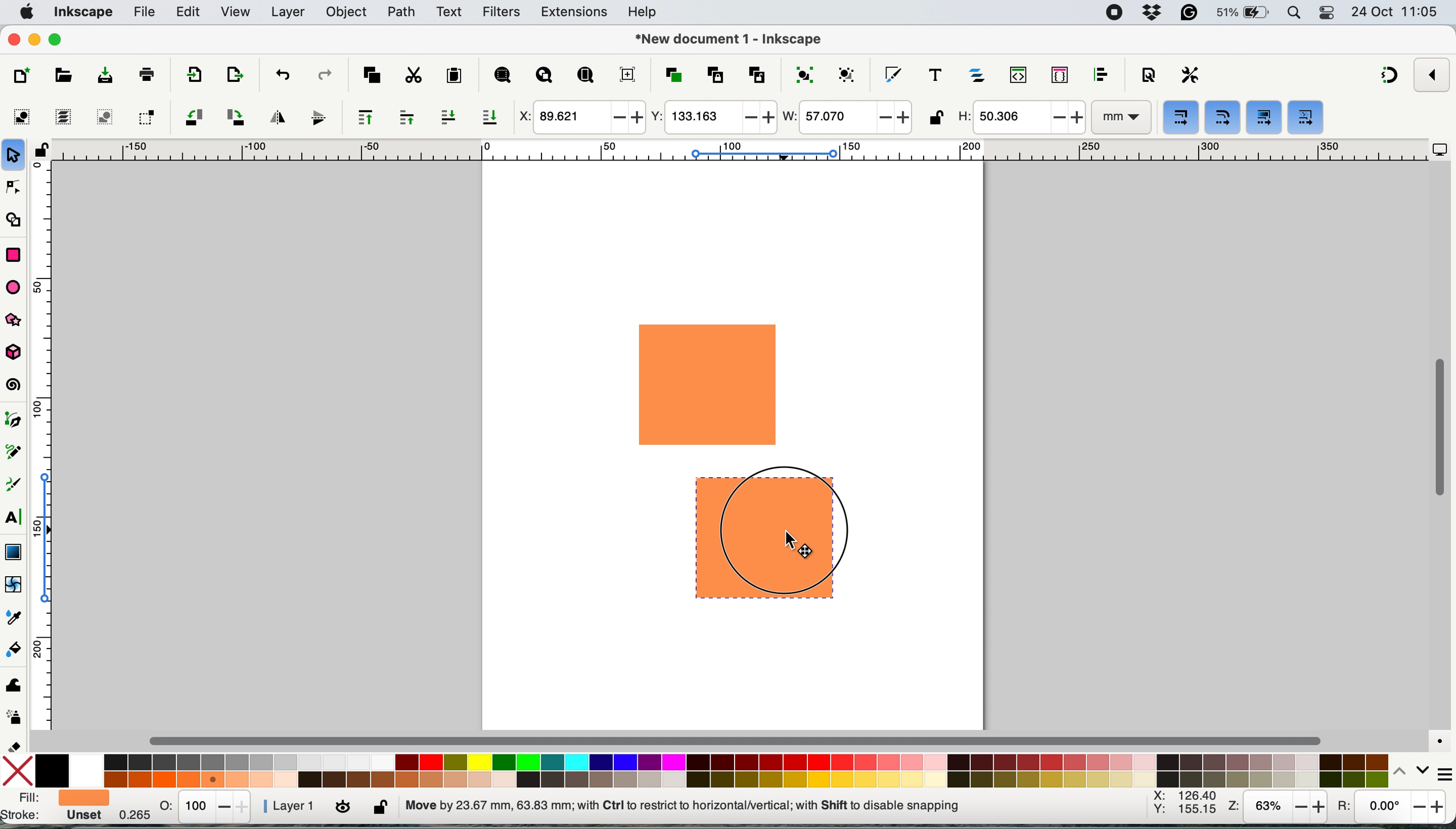 The image size is (1456, 829). I want to click on new, so click(24, 76).